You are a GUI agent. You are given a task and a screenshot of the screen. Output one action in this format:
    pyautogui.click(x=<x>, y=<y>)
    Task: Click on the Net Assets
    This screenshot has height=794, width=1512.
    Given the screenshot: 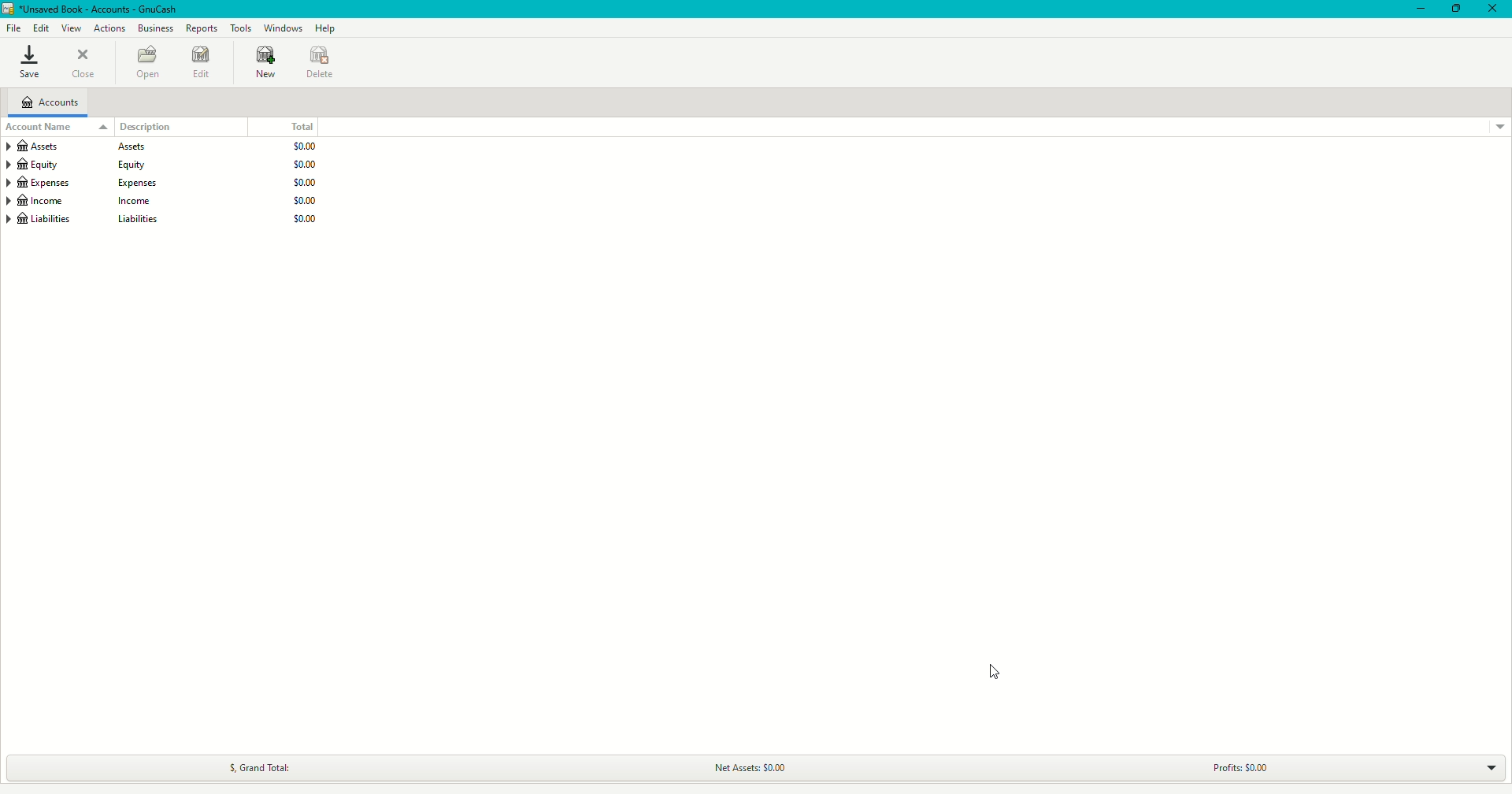 What is the action you would take?
    pyautogui.click(x=752, y=767)
    